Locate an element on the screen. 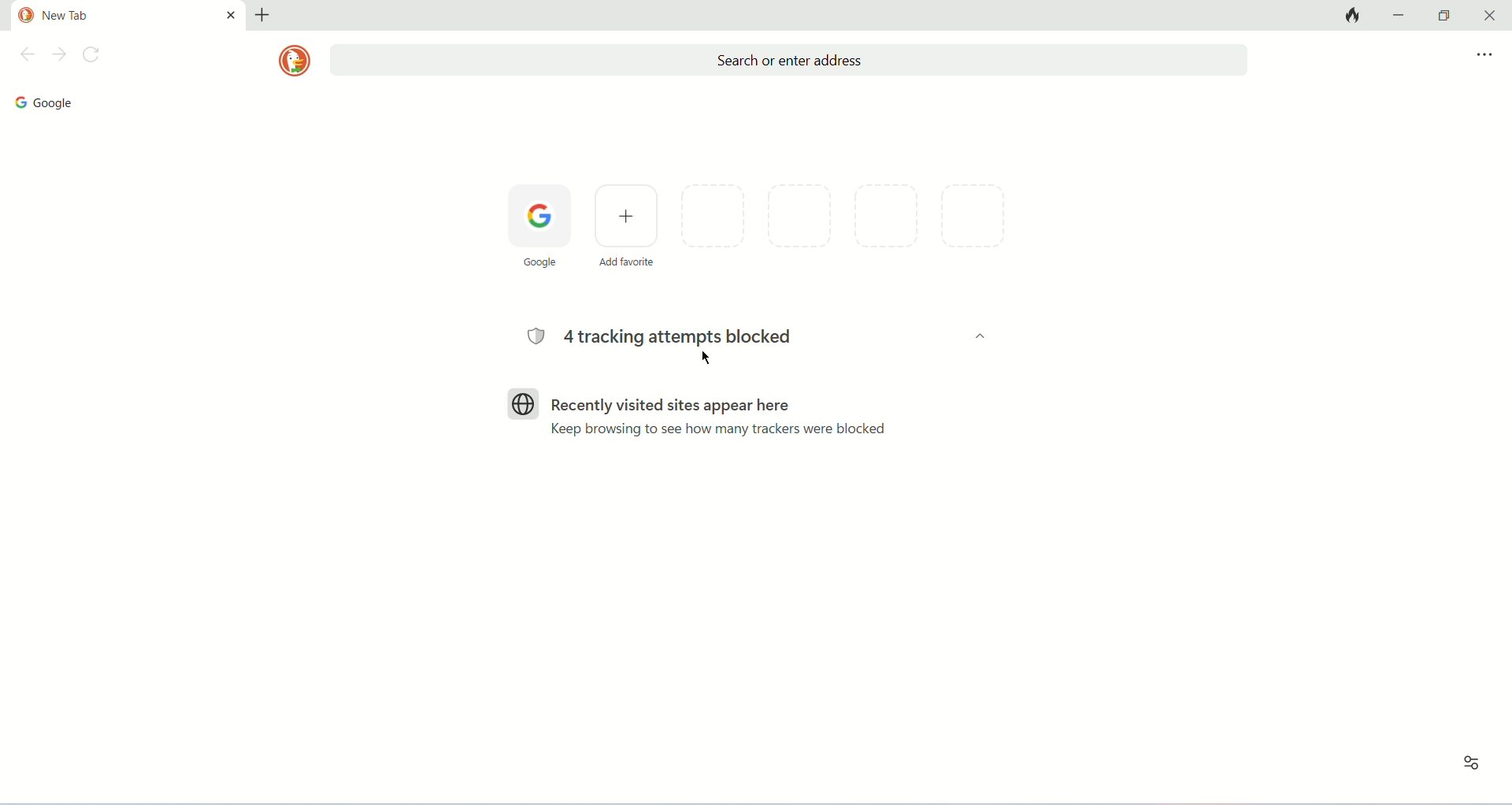  more options is located at coordinates (1484, 55).